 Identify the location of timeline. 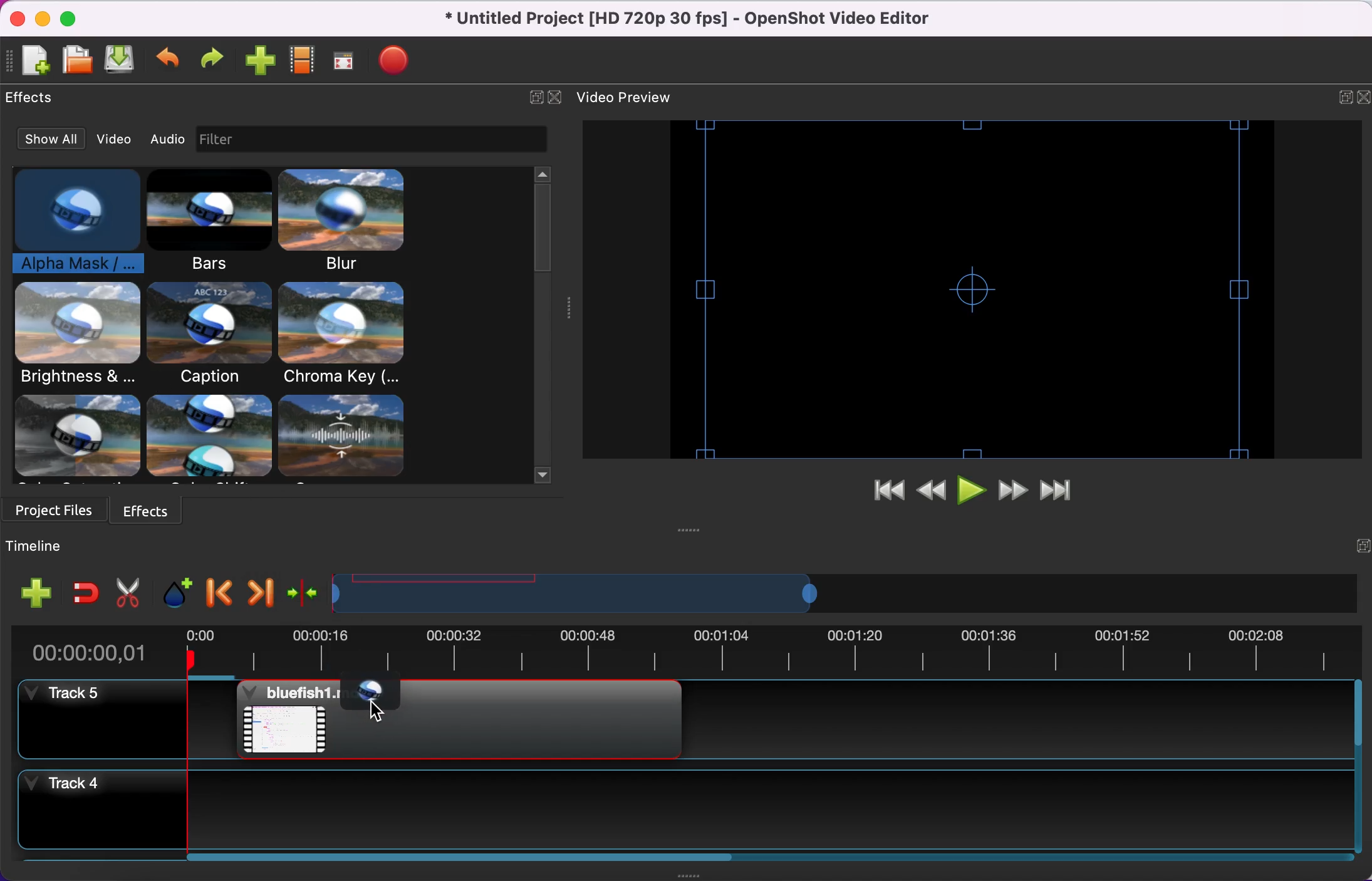
(824, 594).